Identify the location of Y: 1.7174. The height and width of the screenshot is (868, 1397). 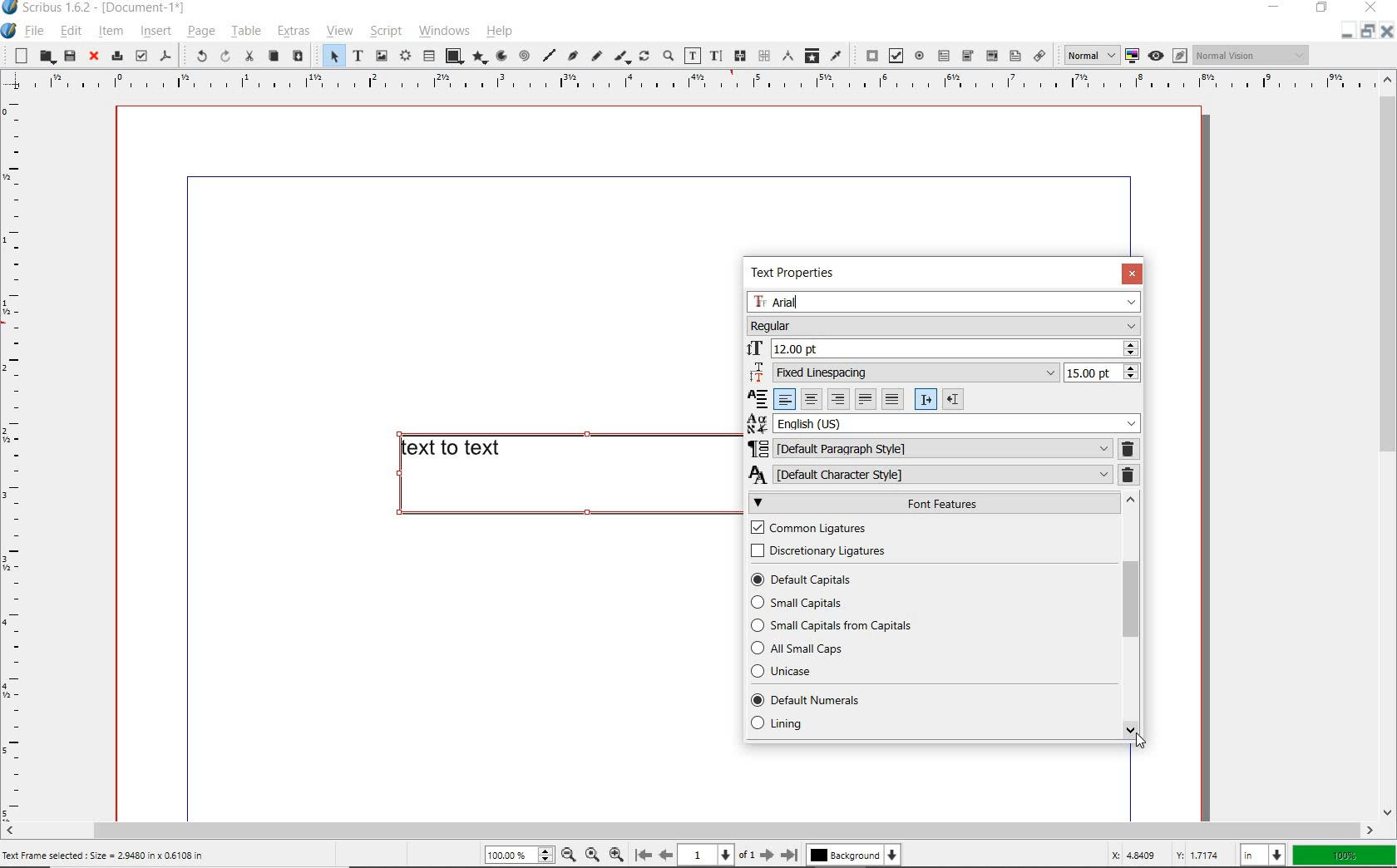
(1200, 855).